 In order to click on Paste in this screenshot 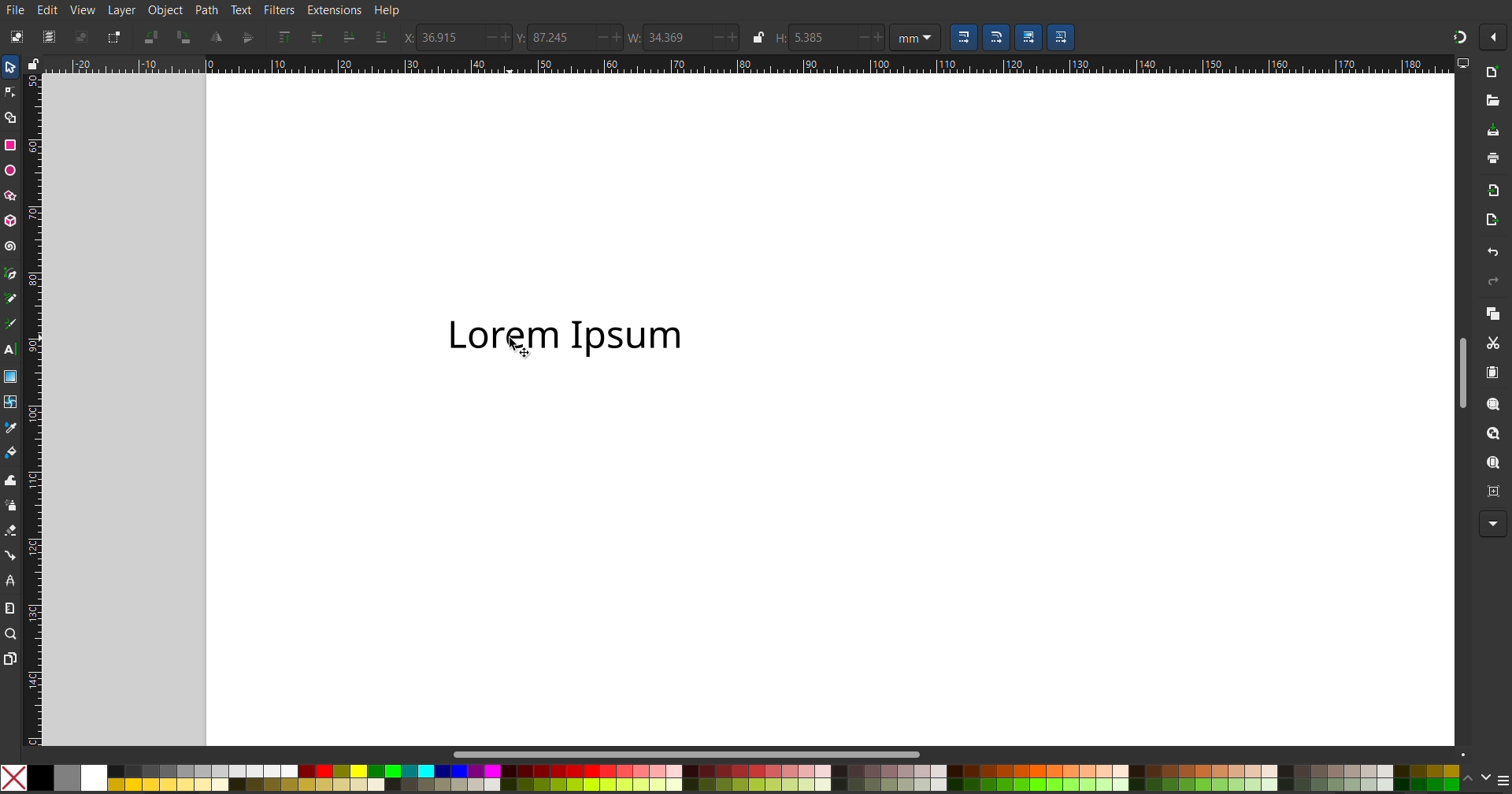, I will do `click(1492, 373)`.